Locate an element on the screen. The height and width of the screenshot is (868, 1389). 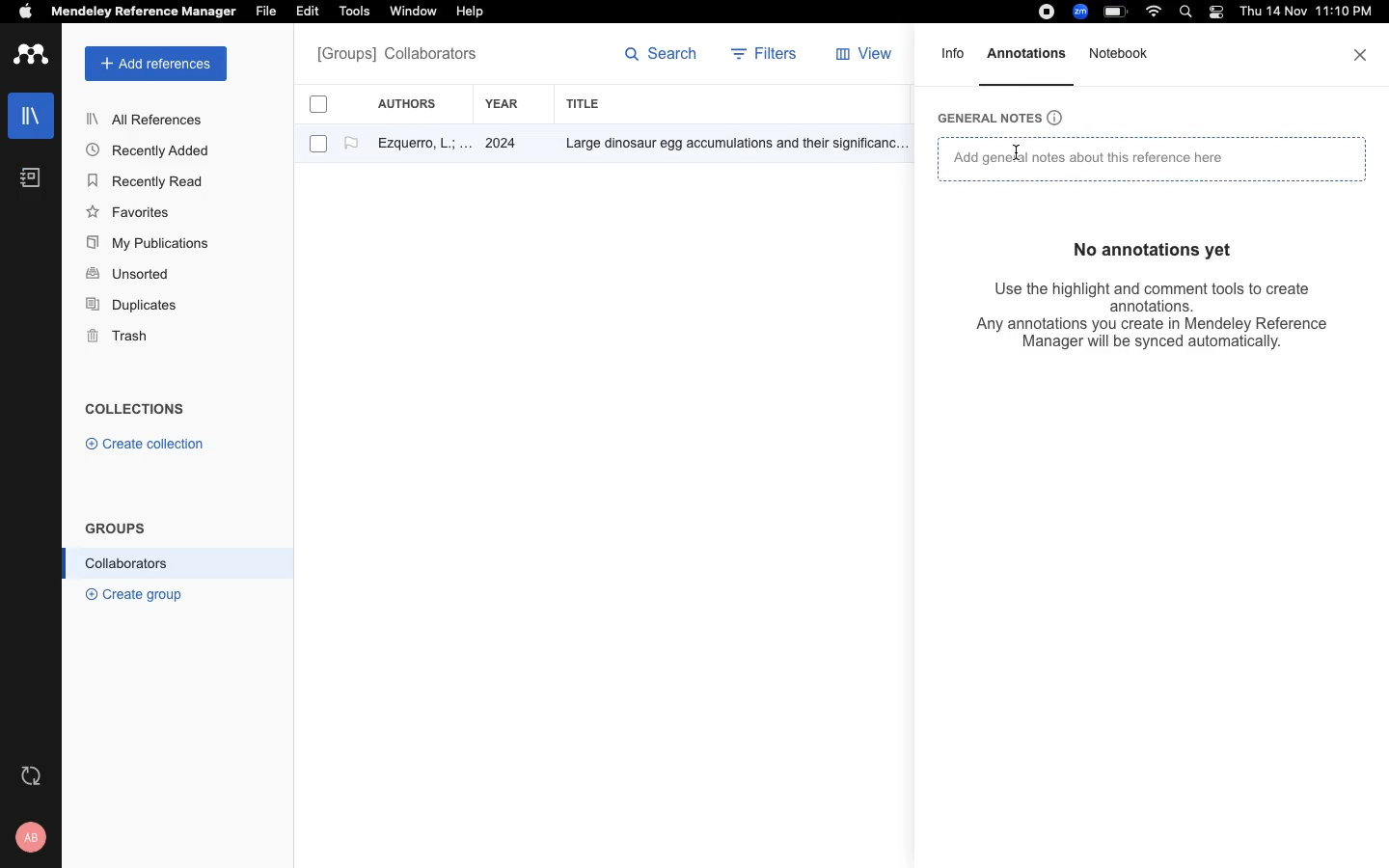
File is located at coordinates (265, 10).